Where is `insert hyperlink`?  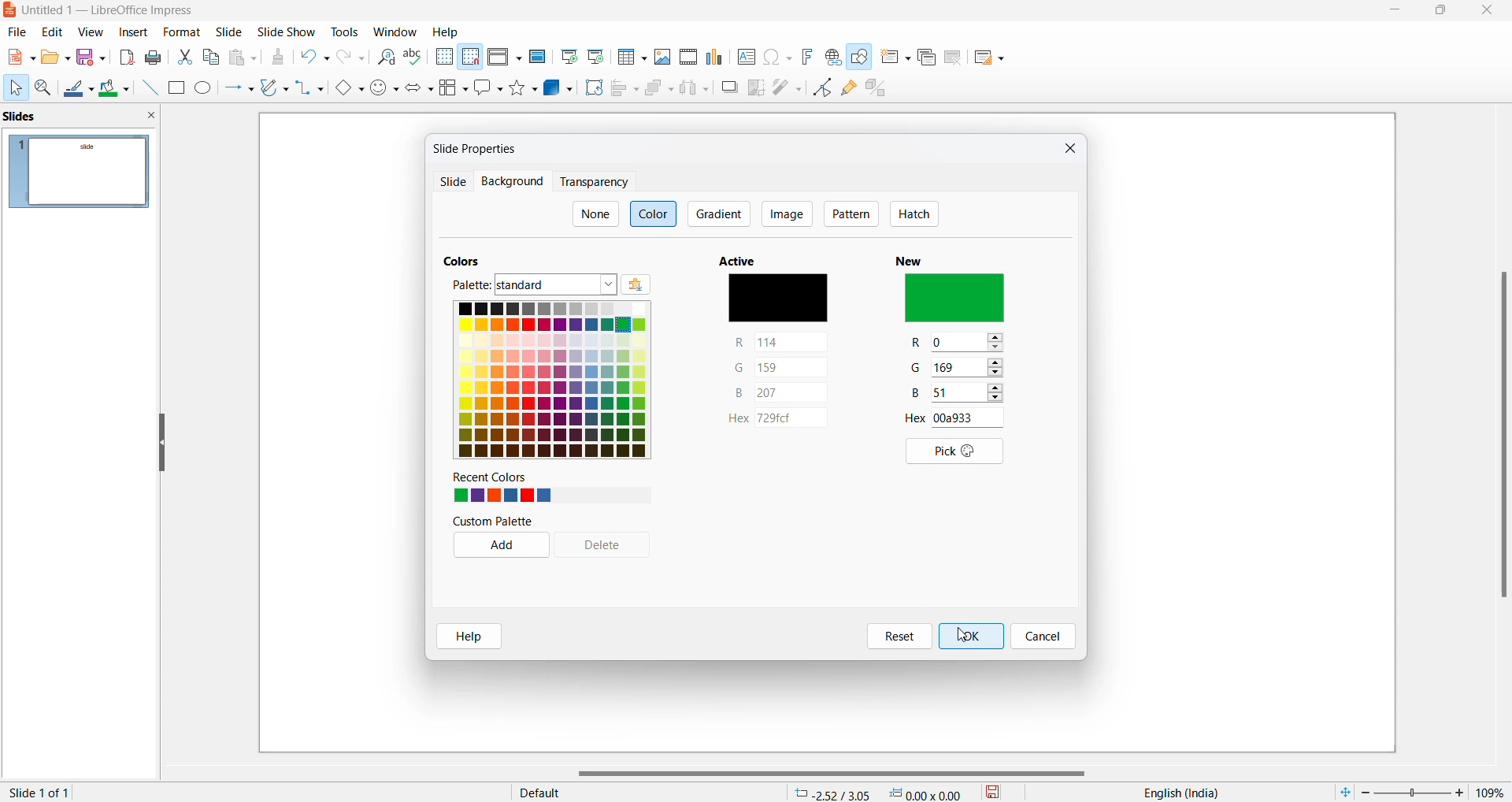
insert hyperlink is located at coordinates (832, 57).